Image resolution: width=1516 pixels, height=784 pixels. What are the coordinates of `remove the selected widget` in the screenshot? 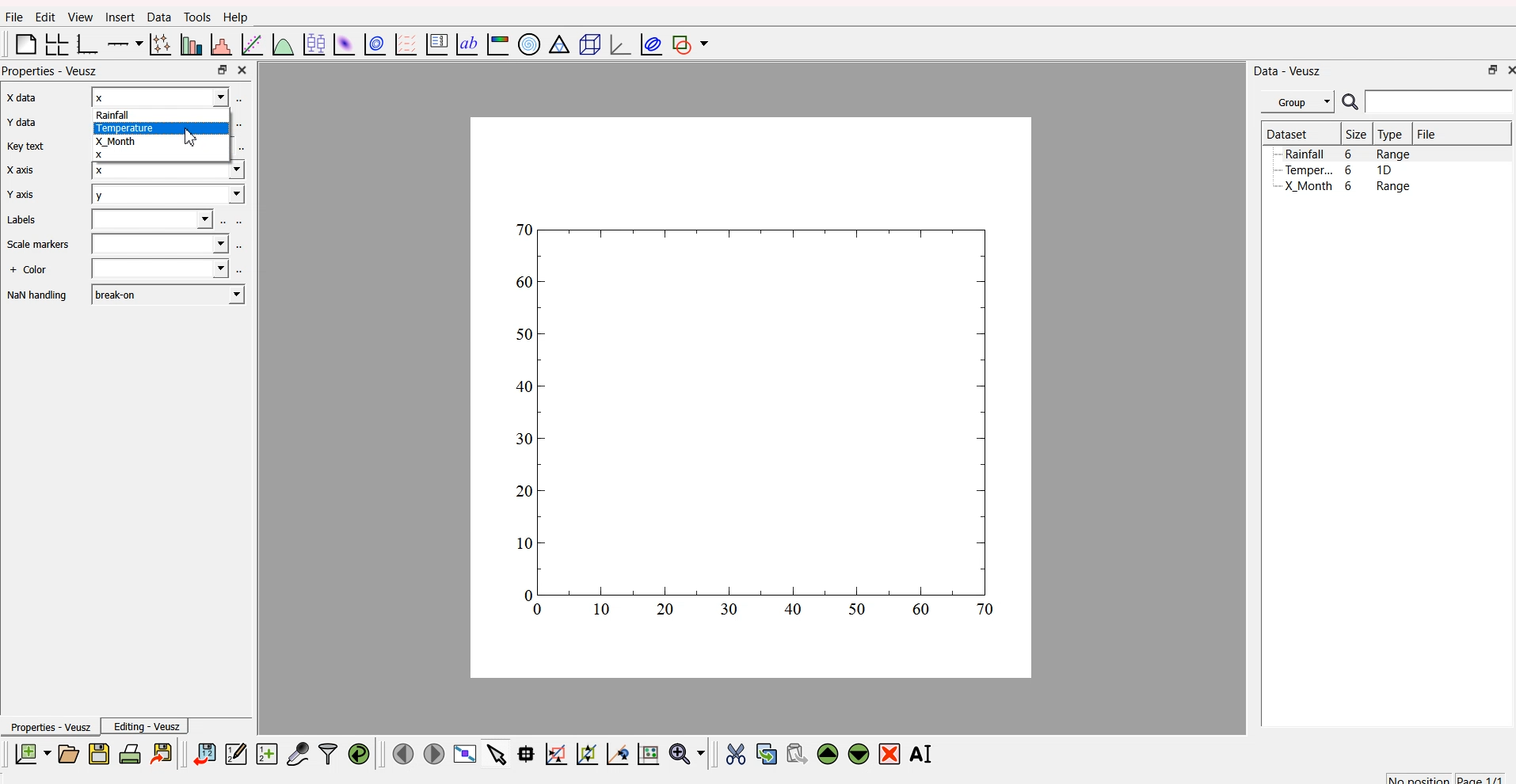 It's located at (890, 754).